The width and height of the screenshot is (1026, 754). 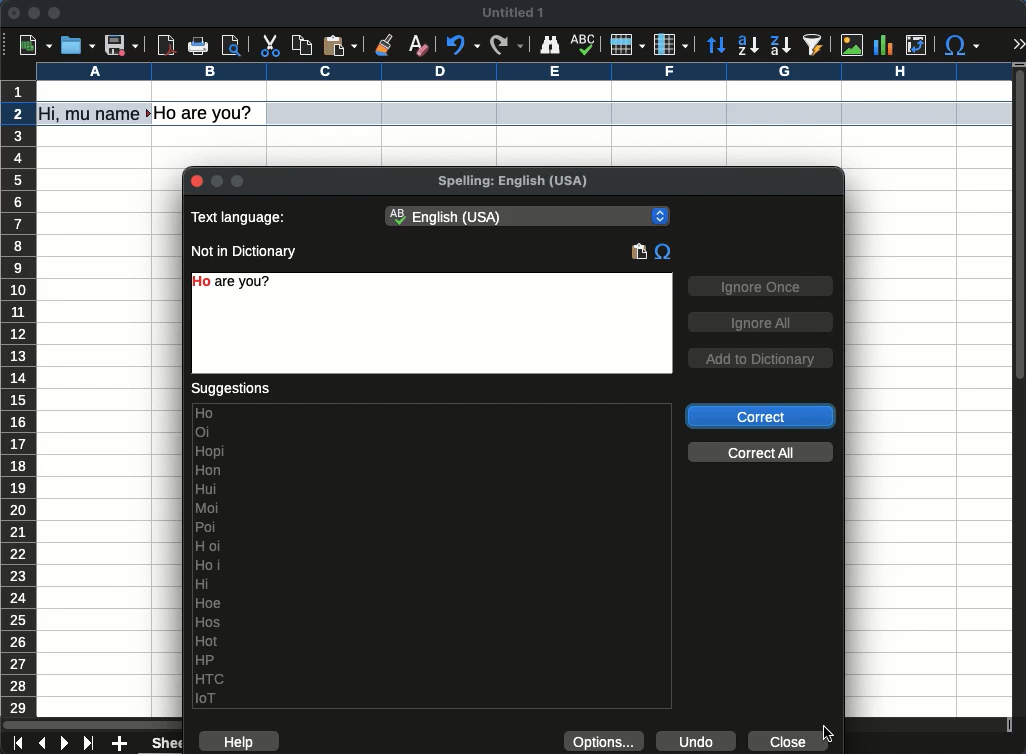 What do you see at coordinates (208, 565) in the screenshot?
I see `Ho i` at bounding box center [208, 565].